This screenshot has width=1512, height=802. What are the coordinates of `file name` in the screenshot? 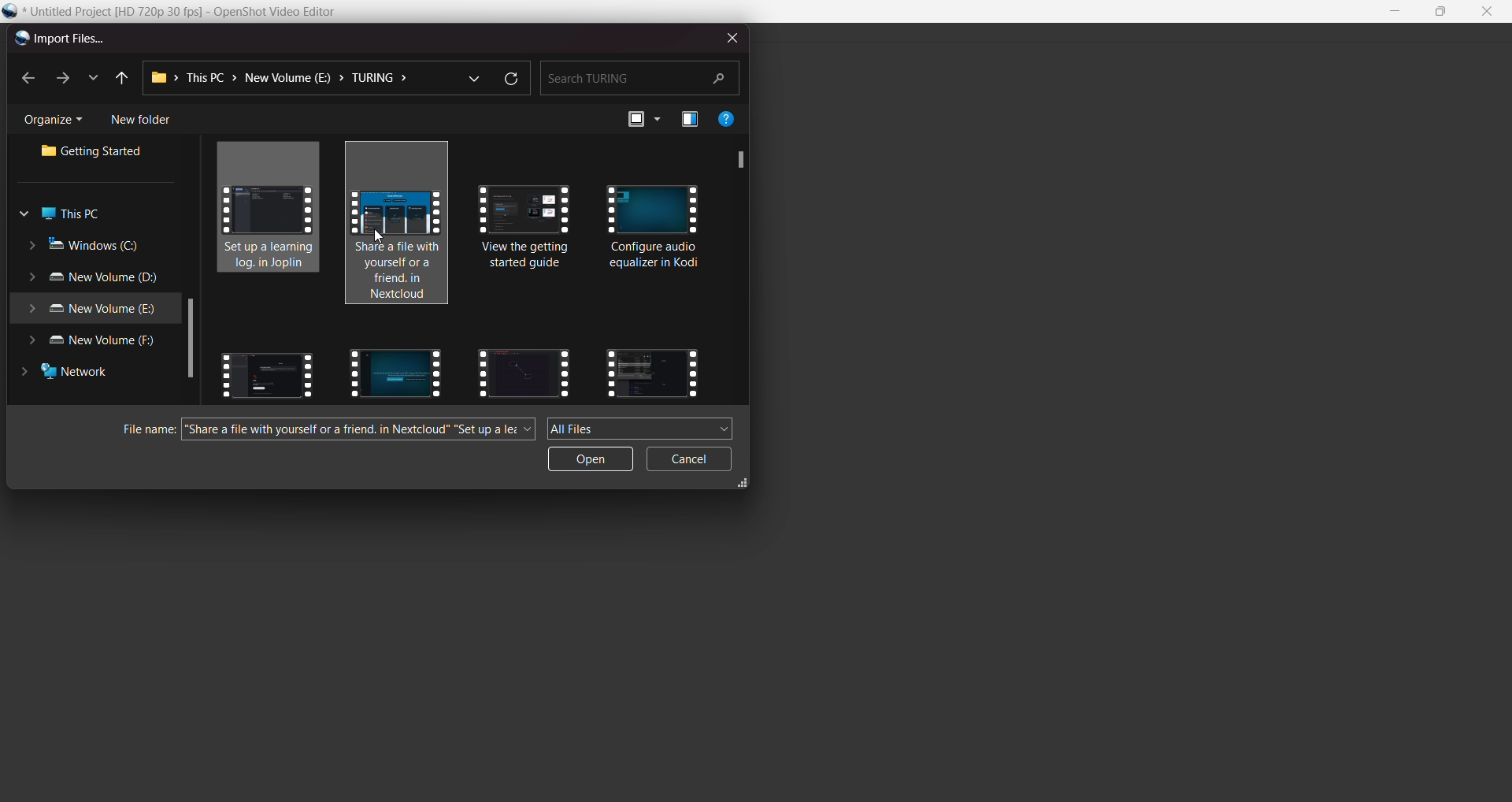 It's located at (191, 13).